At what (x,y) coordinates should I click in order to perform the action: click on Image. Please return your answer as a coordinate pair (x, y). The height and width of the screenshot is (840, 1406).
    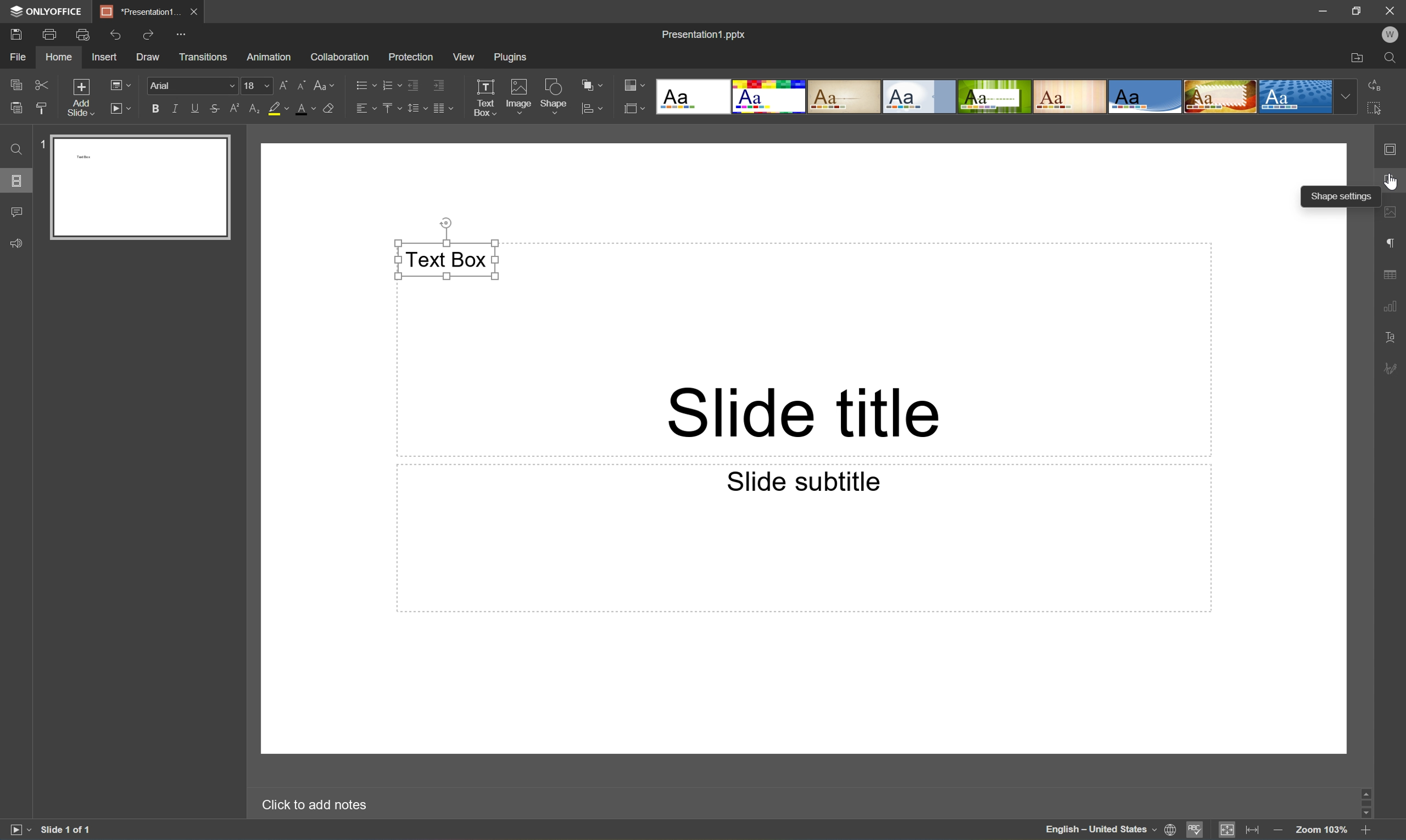
    Looking at the image, I should click on (519, 96).